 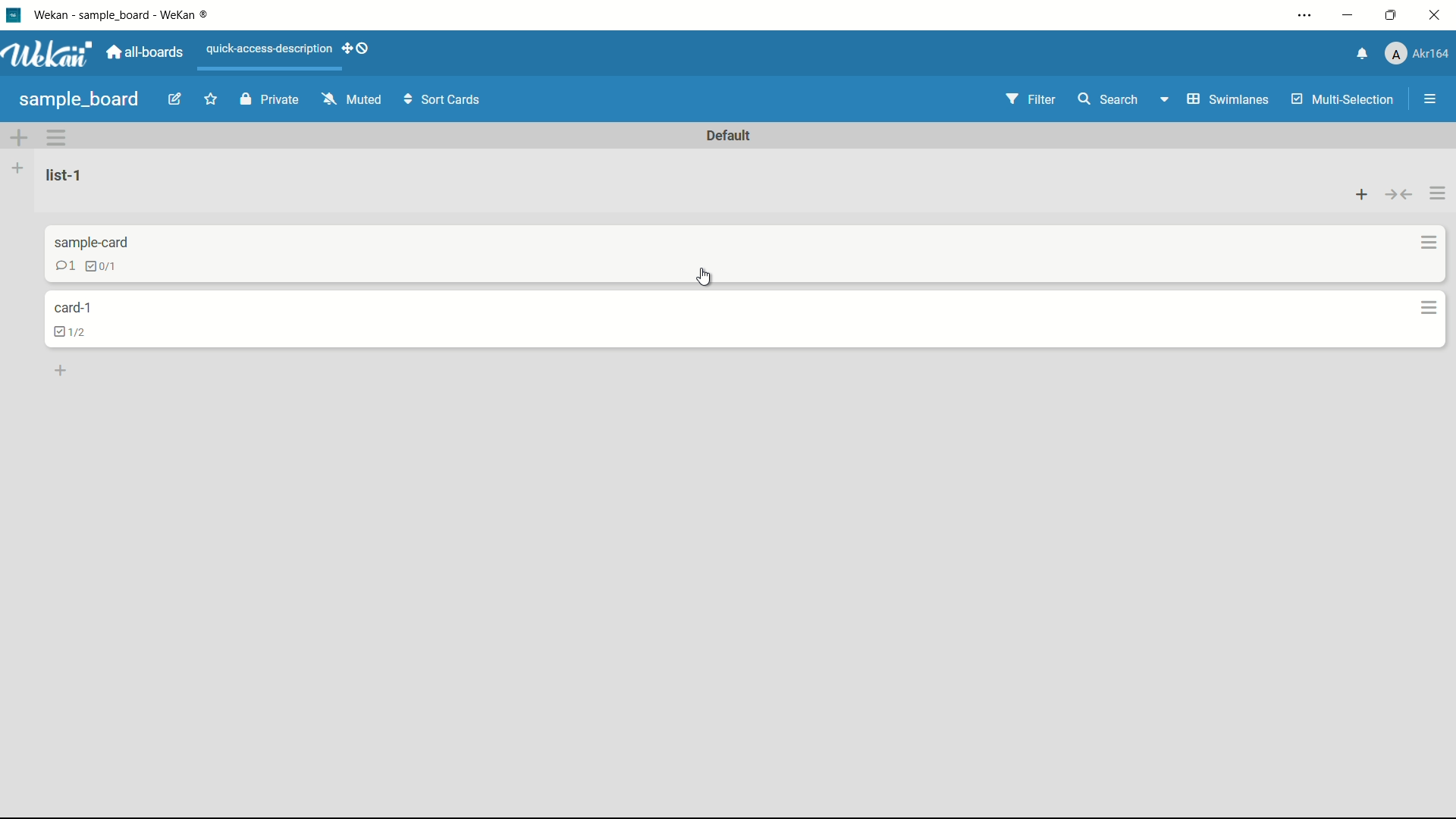 What do you see at coordinates (1439, 193) in the screenshot?
I see `list actions` at bounding box center [1439, 193].